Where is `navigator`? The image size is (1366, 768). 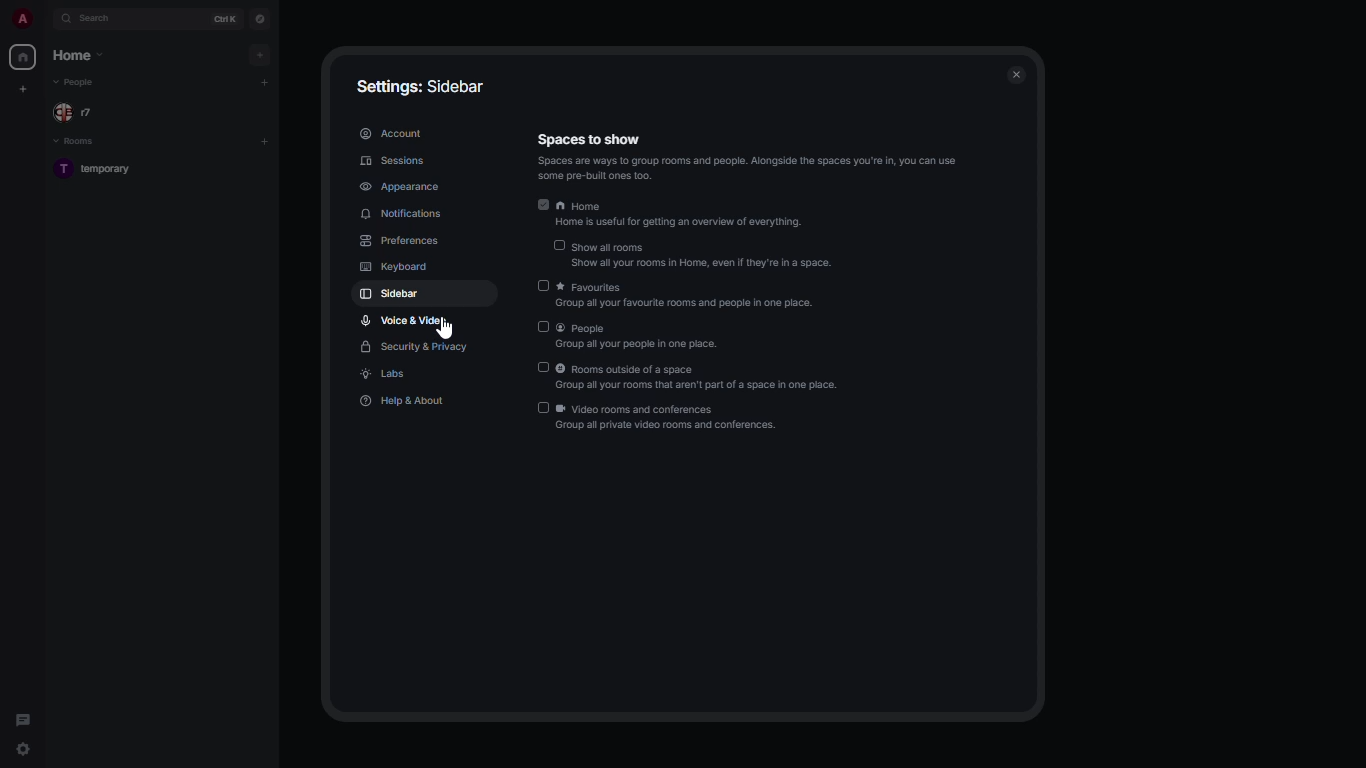 navigator is located at coordinates (259, 18).